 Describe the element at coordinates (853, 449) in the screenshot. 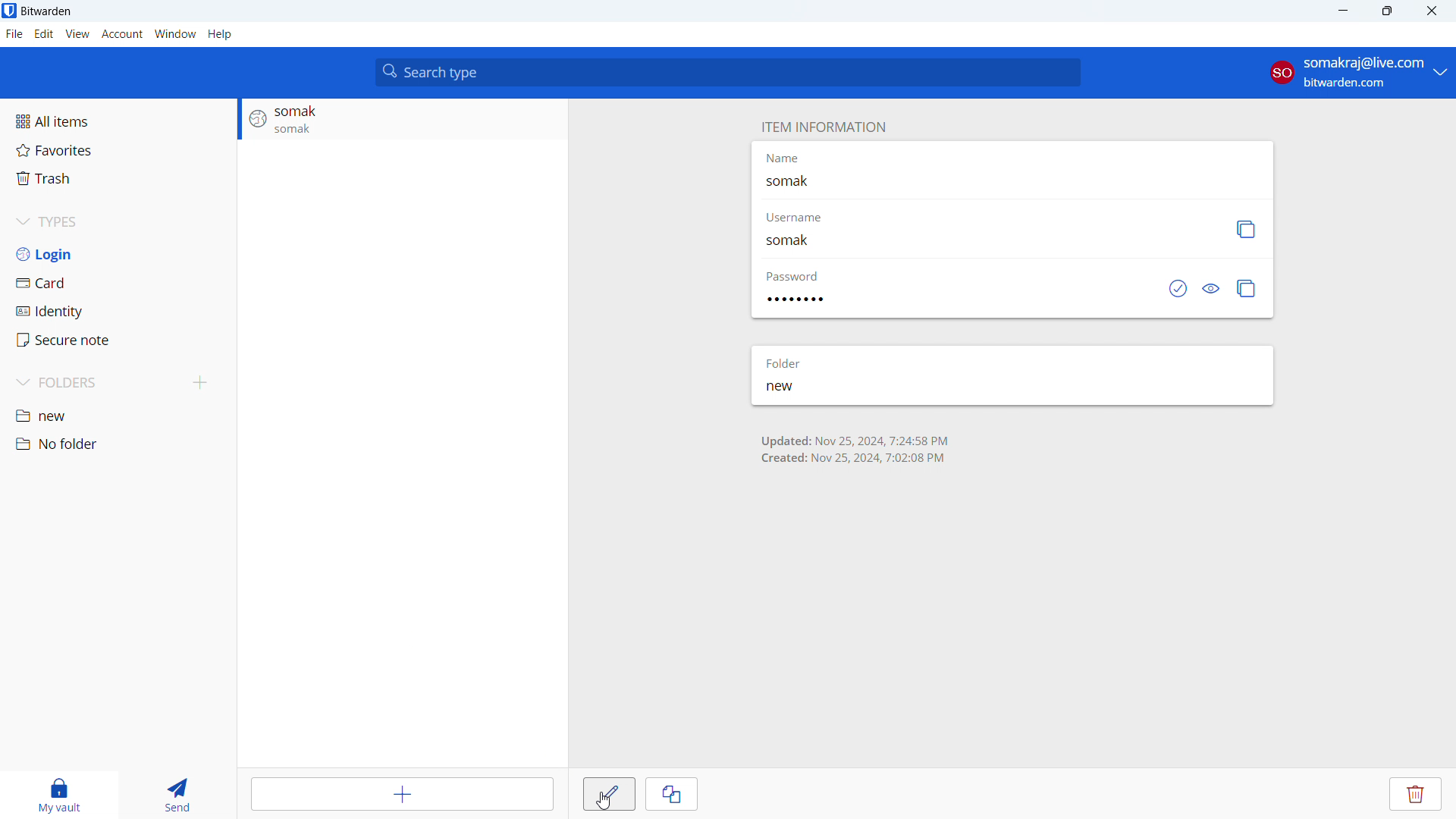

I see `login entry` at that location.